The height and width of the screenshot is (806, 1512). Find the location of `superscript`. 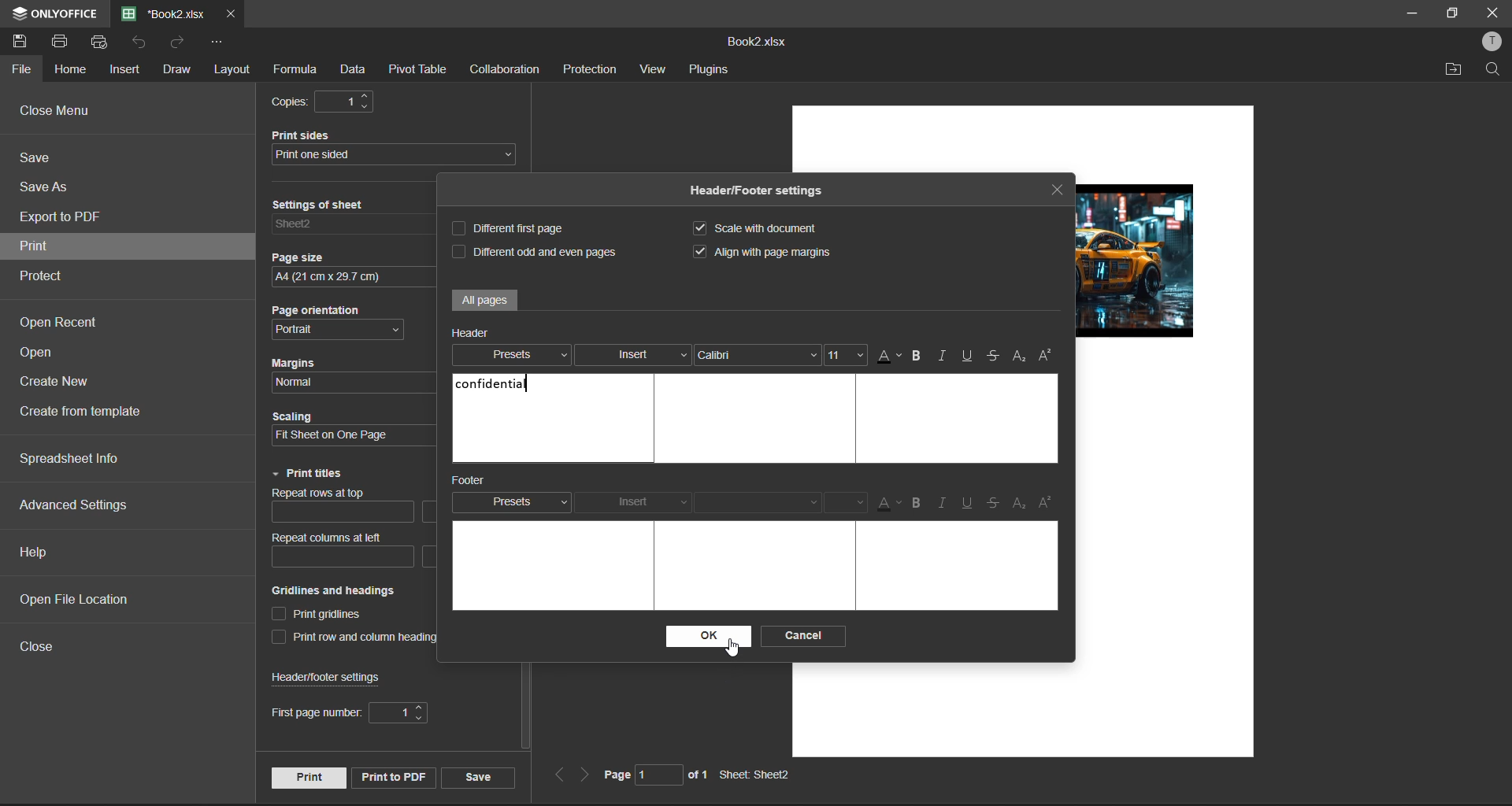

superscript is located at coordinates (1049, 501).